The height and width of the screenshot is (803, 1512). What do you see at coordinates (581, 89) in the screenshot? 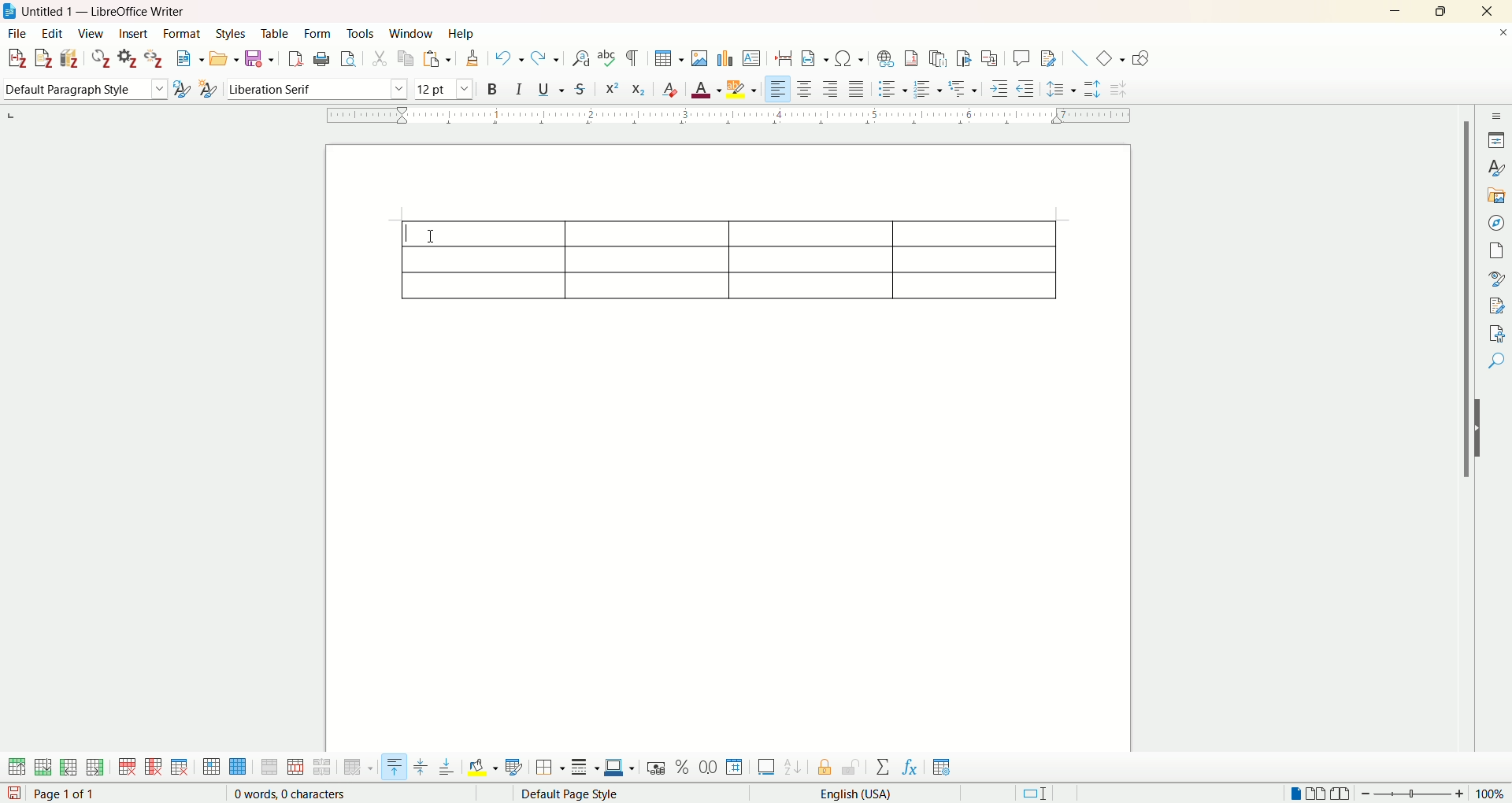
I see `strikethrough` at bounding box center [581, 89].